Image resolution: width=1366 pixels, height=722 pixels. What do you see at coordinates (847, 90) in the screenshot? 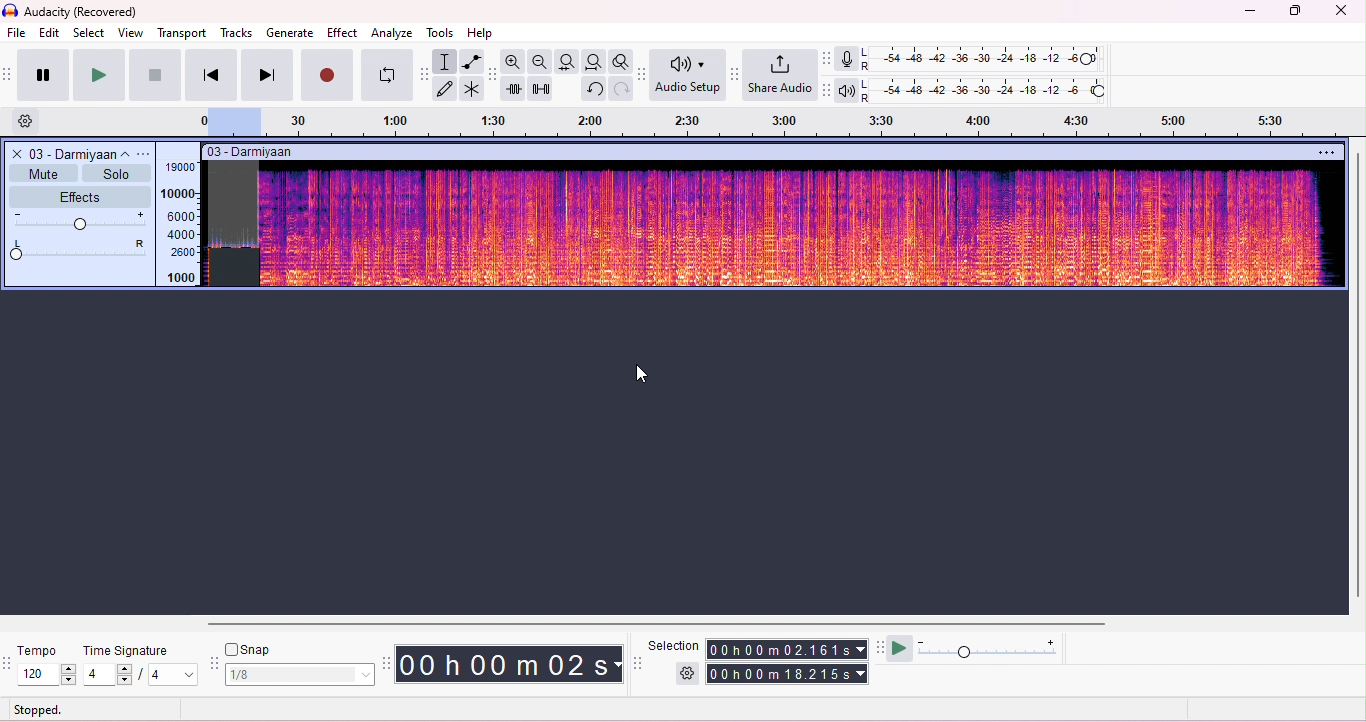
I see `playback meter` at bounding box center [847, 90].